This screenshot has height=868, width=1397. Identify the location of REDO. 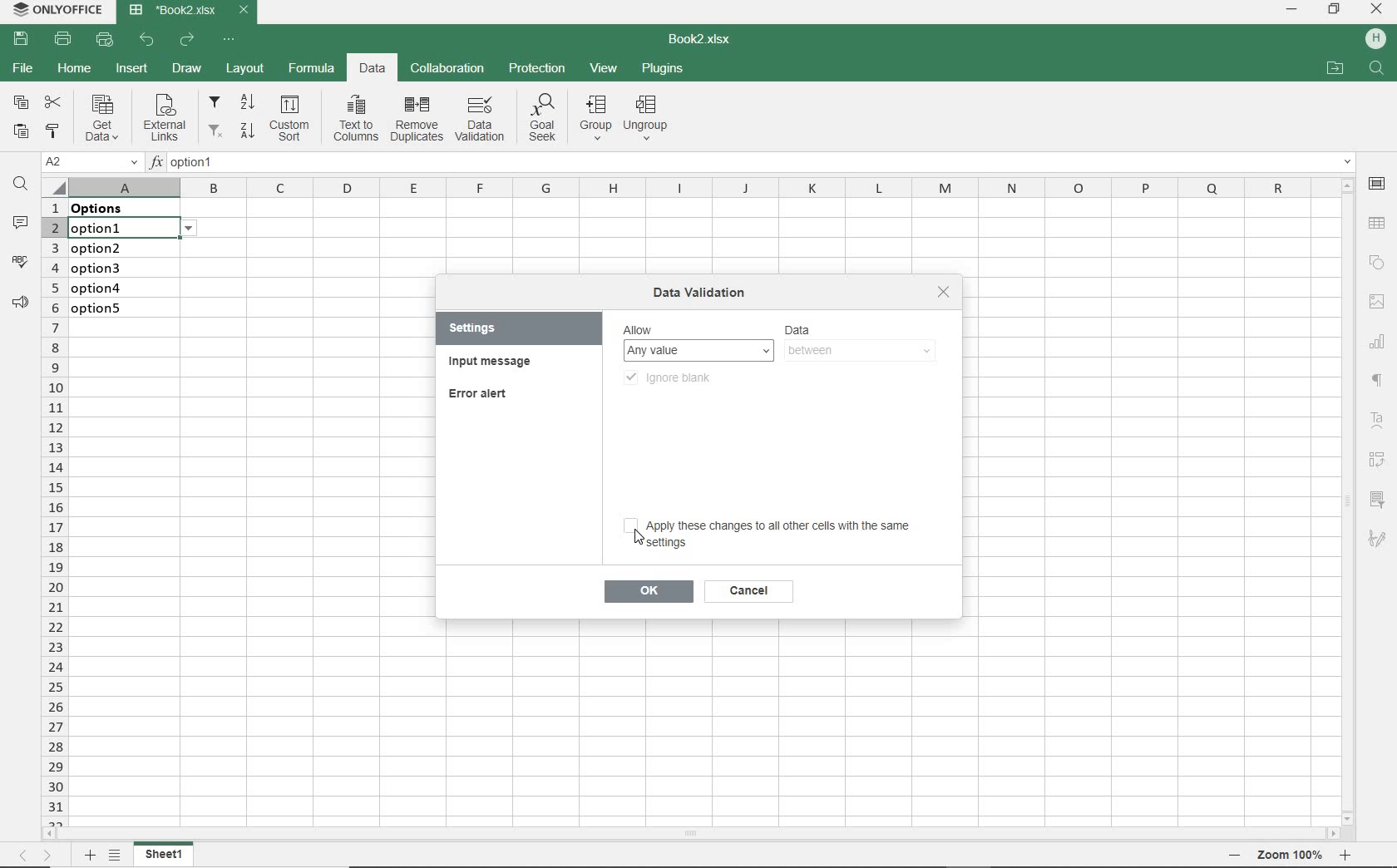
(187, 40).